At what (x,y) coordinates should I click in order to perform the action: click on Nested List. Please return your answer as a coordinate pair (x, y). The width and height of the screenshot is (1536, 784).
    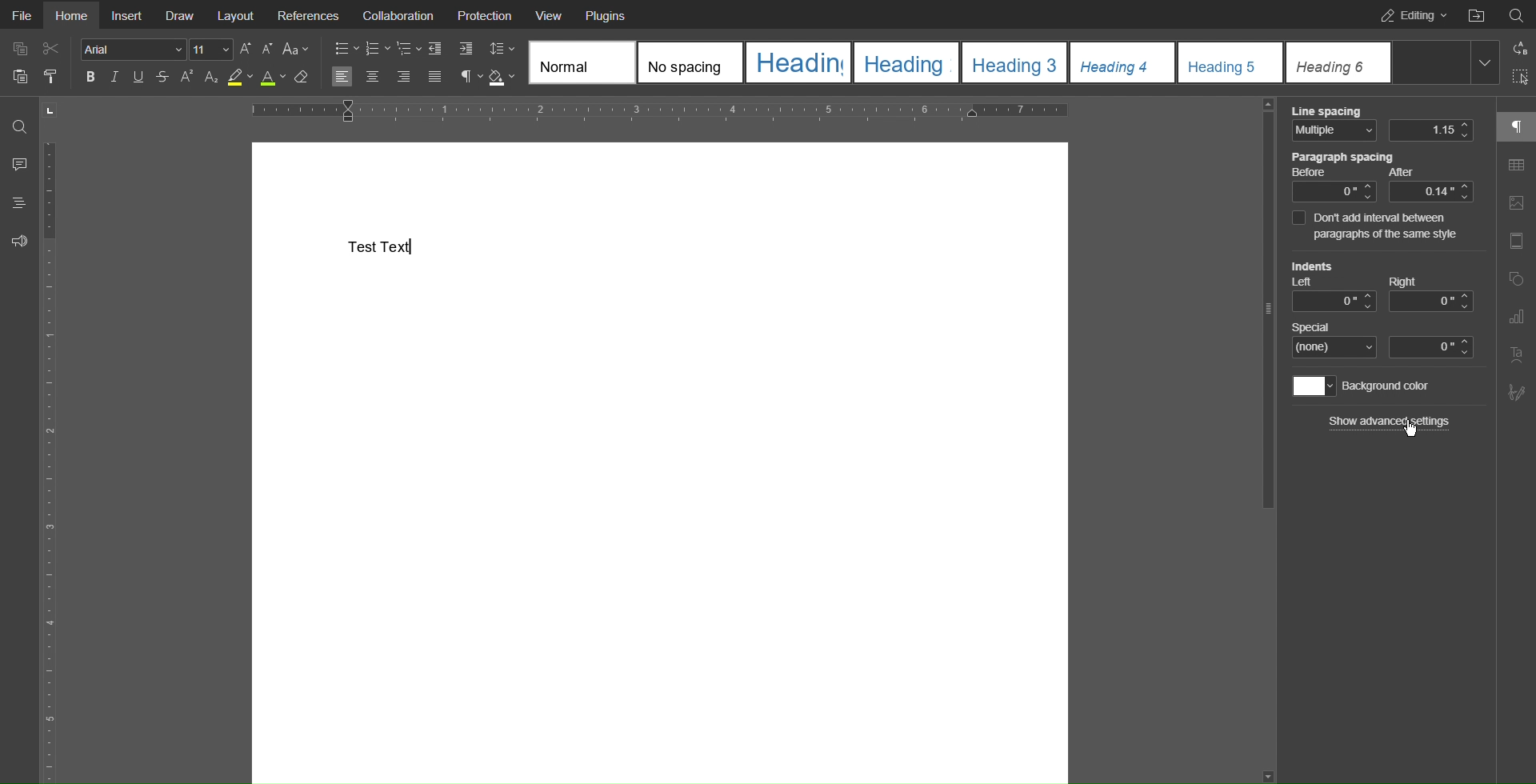
    Looking at the image, I should click on (409, 50).